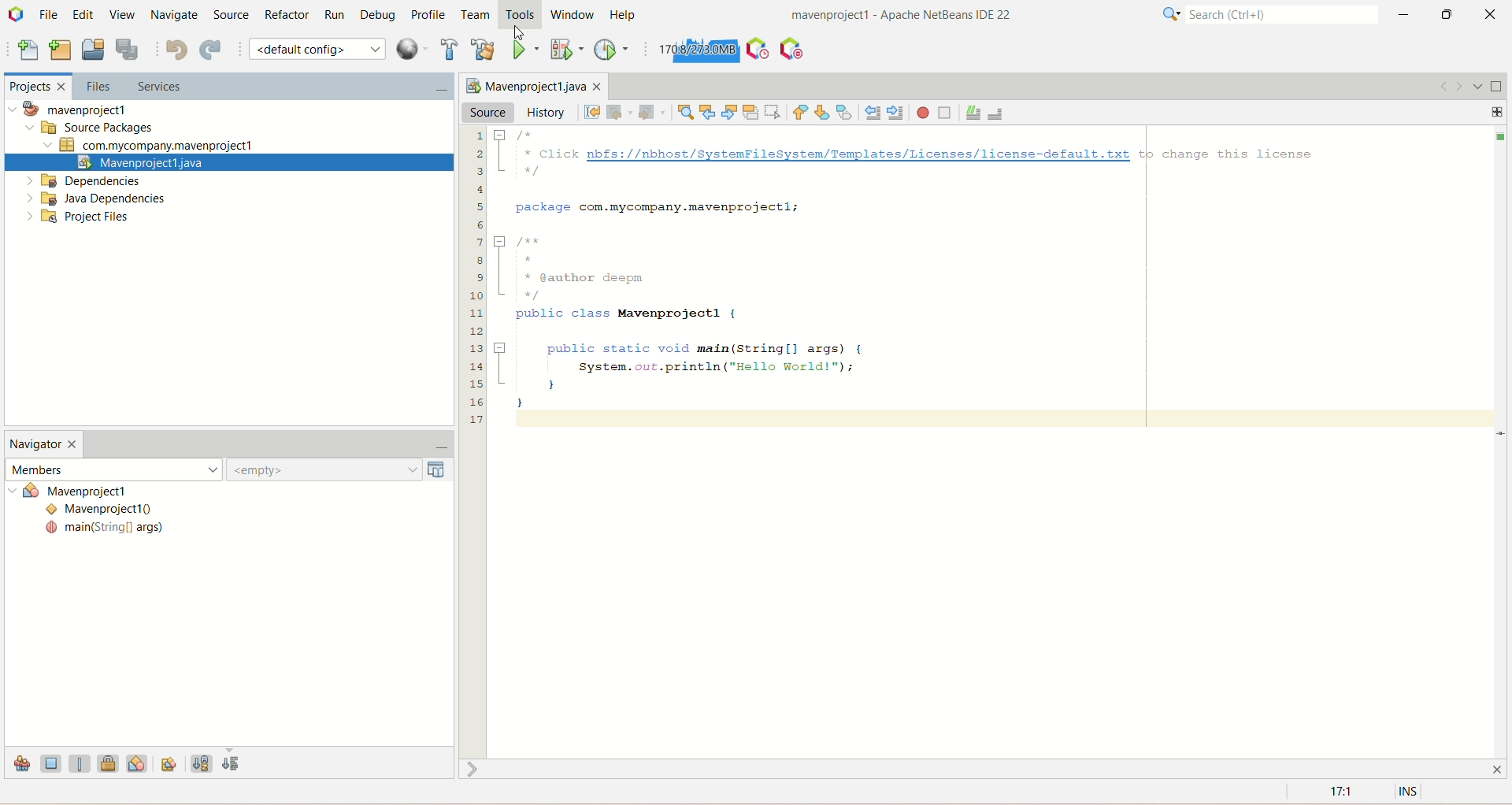 Image resolution: width=1512 pixels, height=805 pixels. What do you see at coordinates (731, 110) in the screenshot?
I see `find next occurrence` at bounding box center [731, 110].